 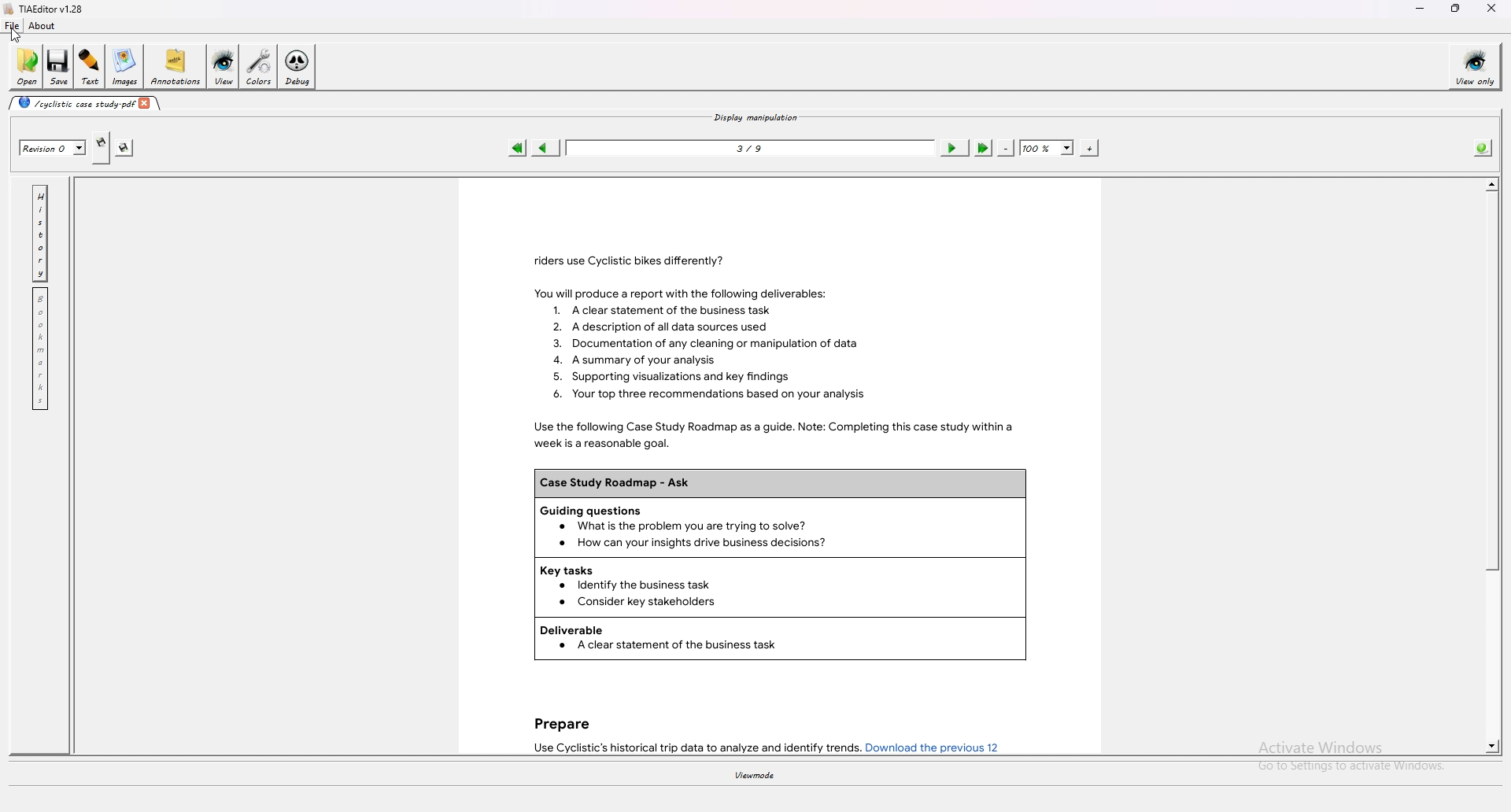 I want to click on create new revision, so click(x=101, y=147).